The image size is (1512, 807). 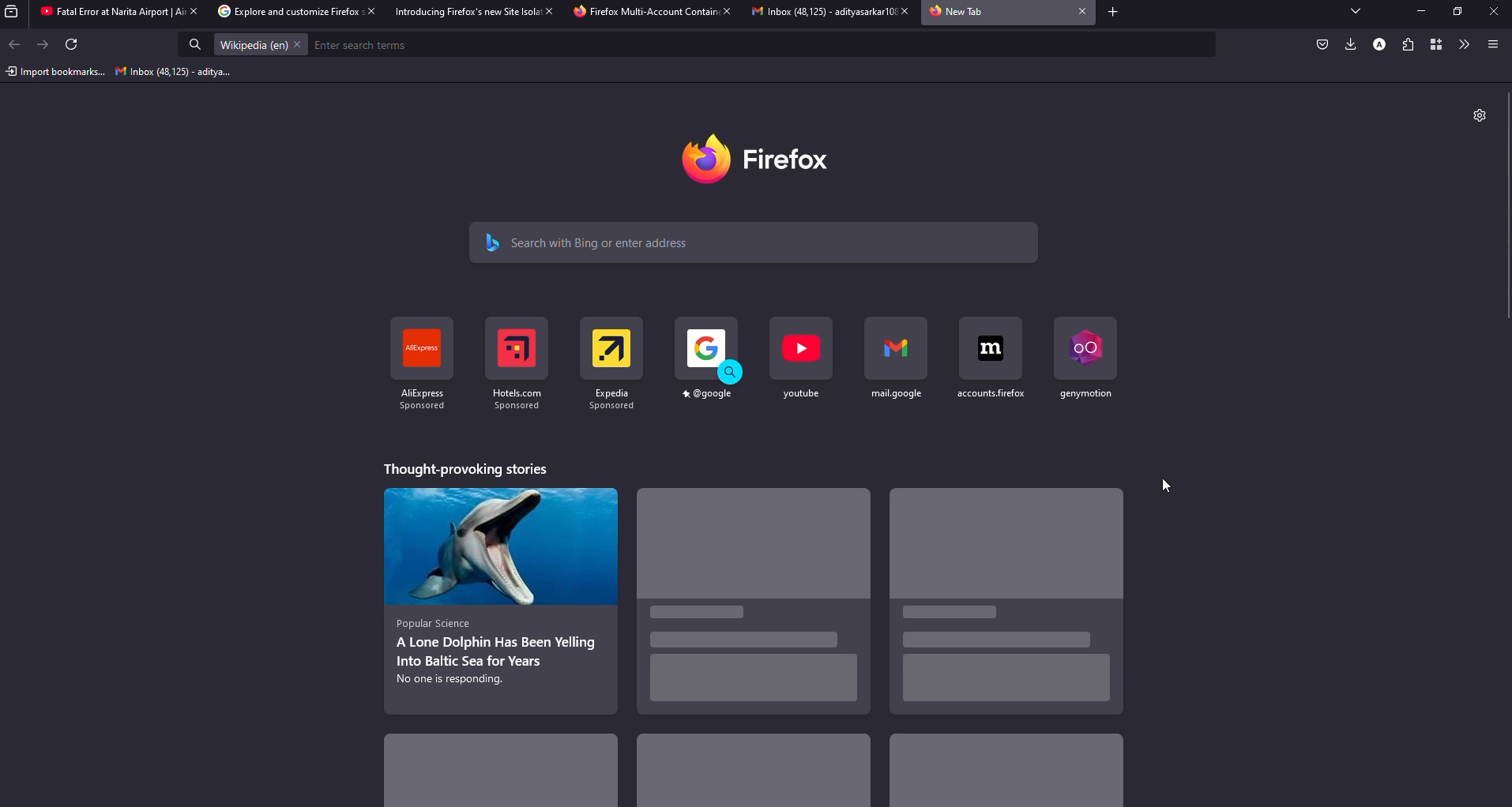 I want to click on wiki, so click(x=251, y=45).